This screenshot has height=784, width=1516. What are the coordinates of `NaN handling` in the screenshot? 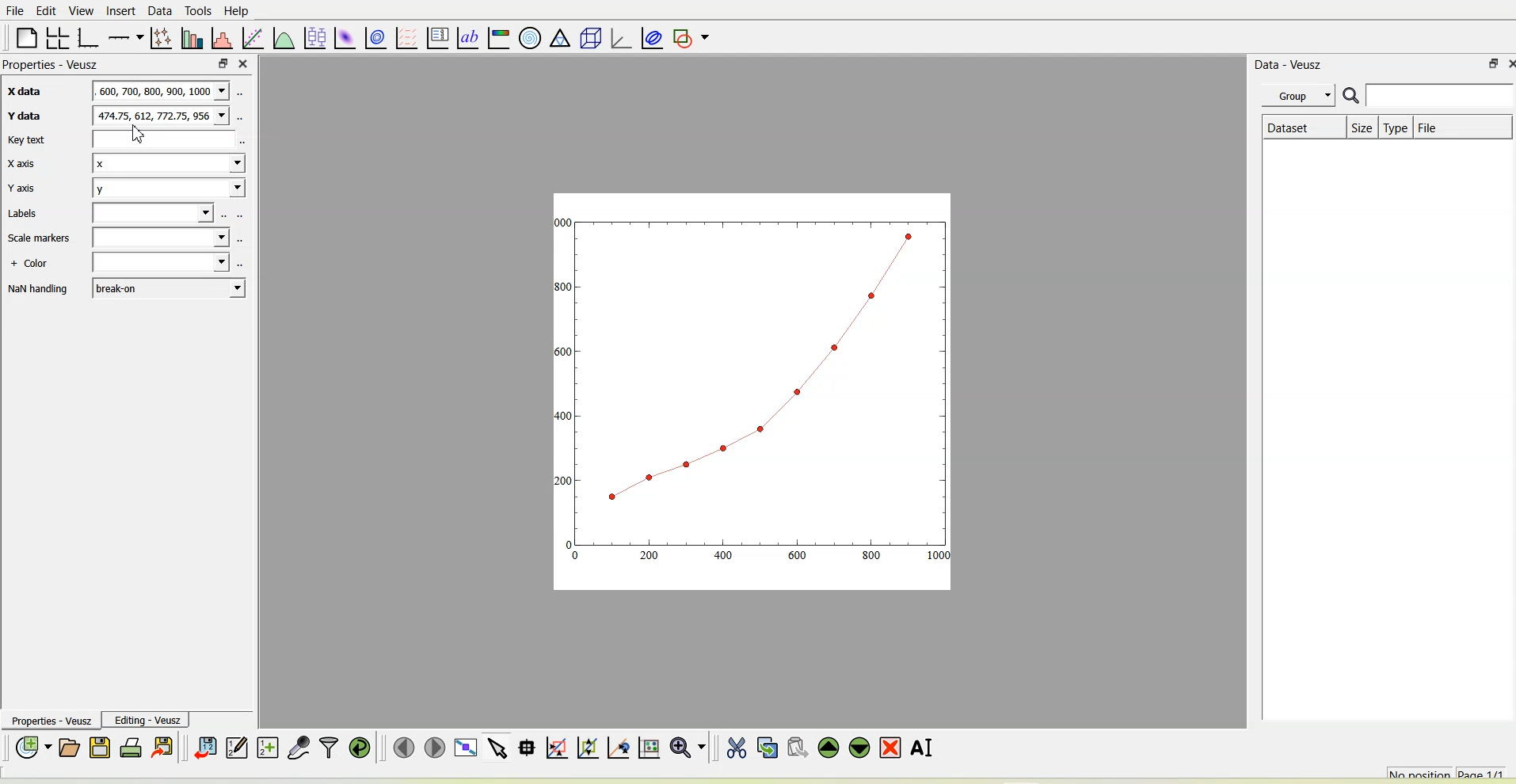 It's located at (38, 289).